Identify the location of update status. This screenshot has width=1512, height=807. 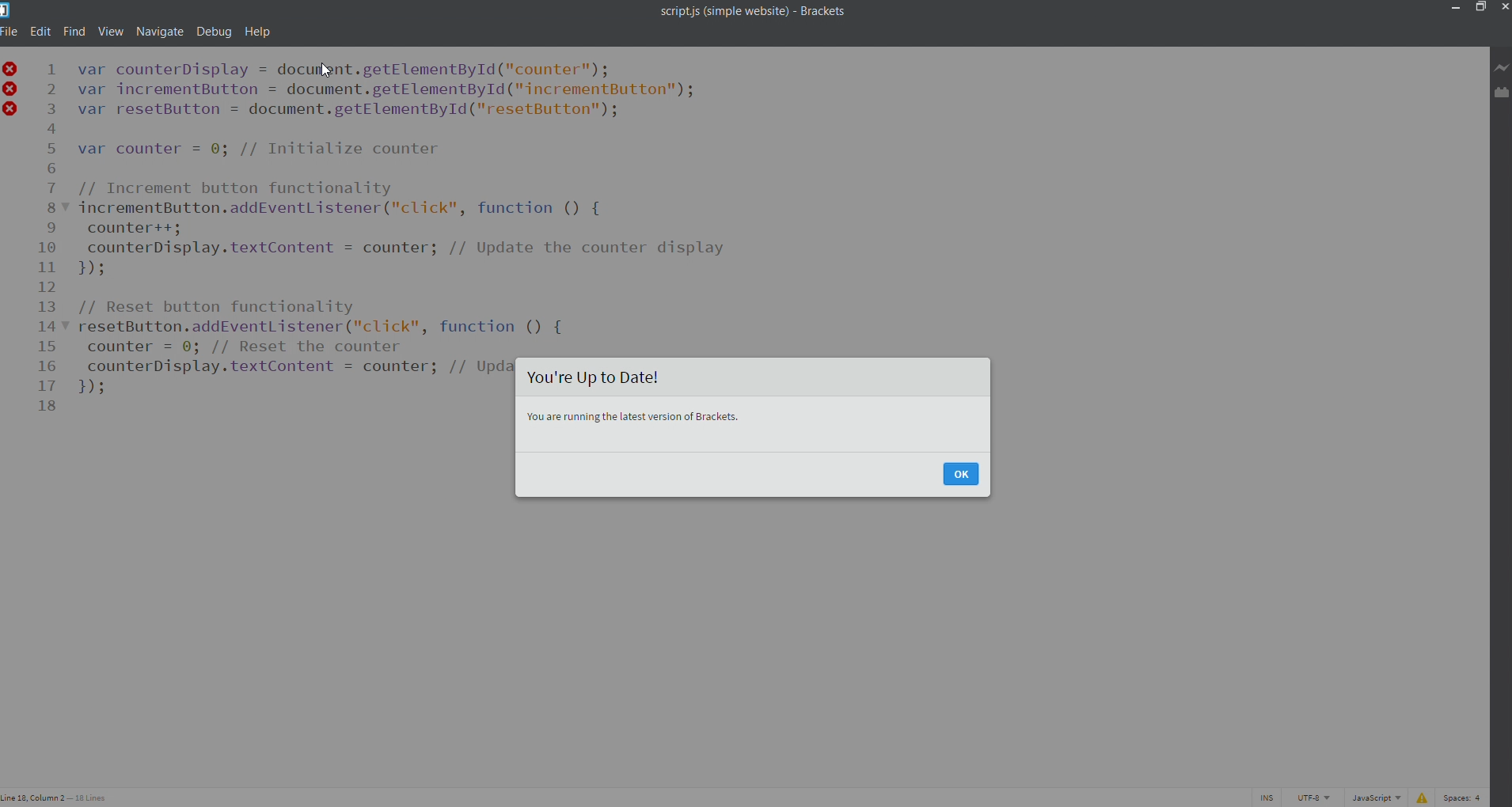
(754, 377).